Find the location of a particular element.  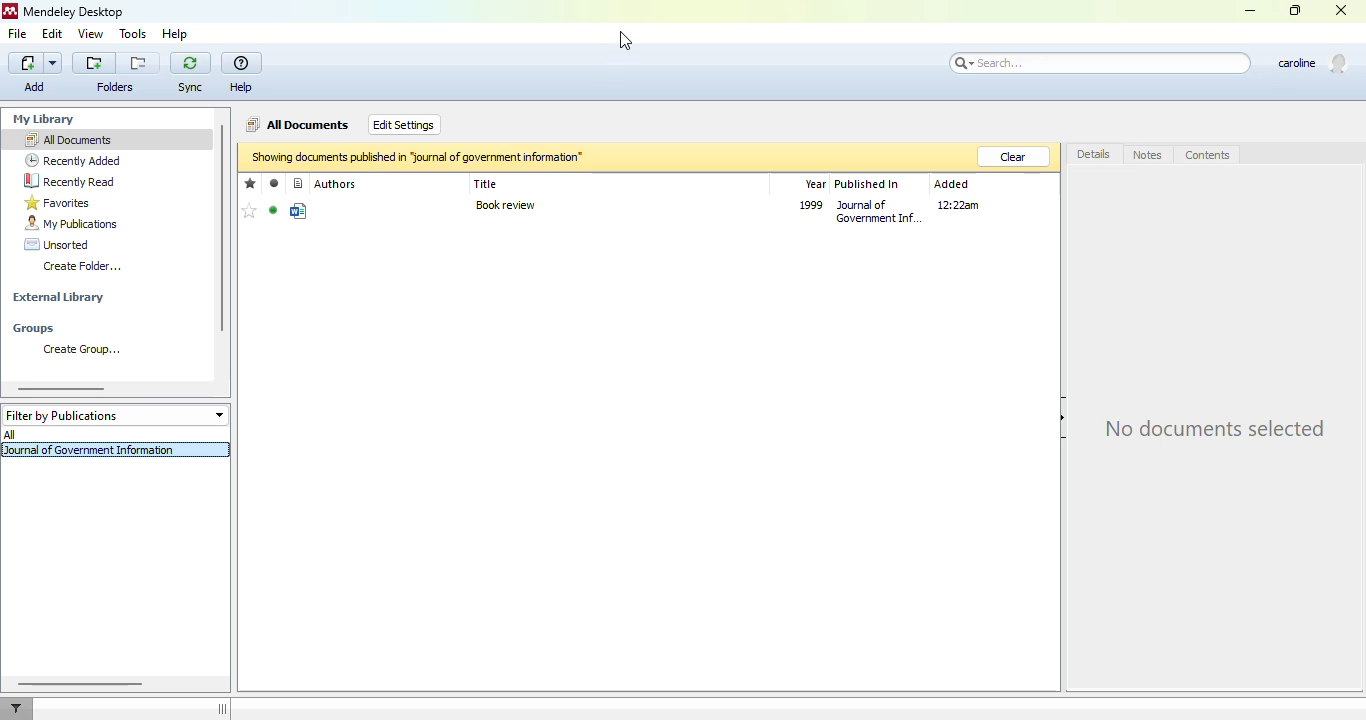

added is located at coordinates (952, 184).